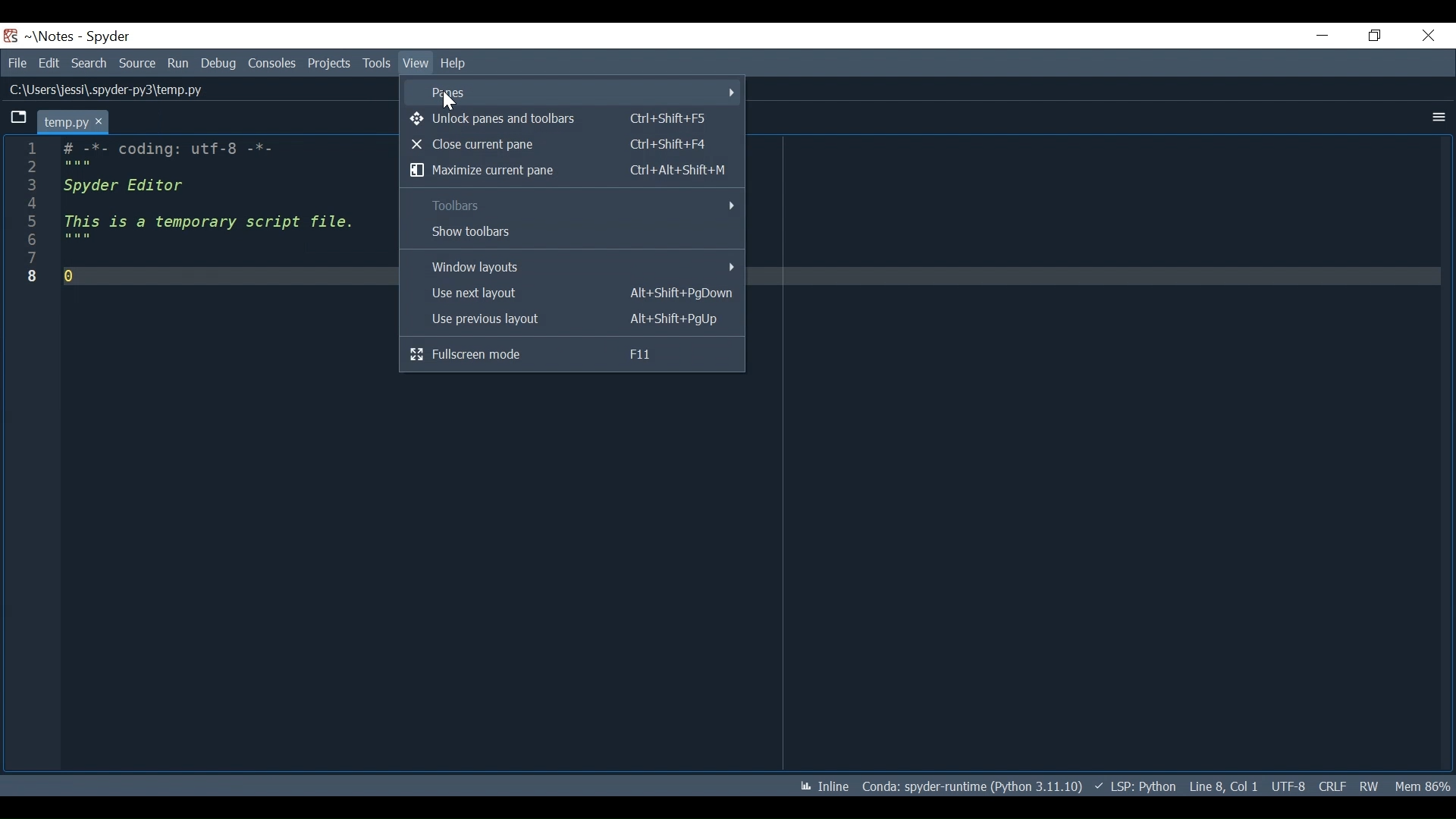  What do you see at coordinates (127, 91) in the screenshot?
I see `C:\Users\jessi\.spyaer-pys\temp.py` at bounding box center [127, 91].